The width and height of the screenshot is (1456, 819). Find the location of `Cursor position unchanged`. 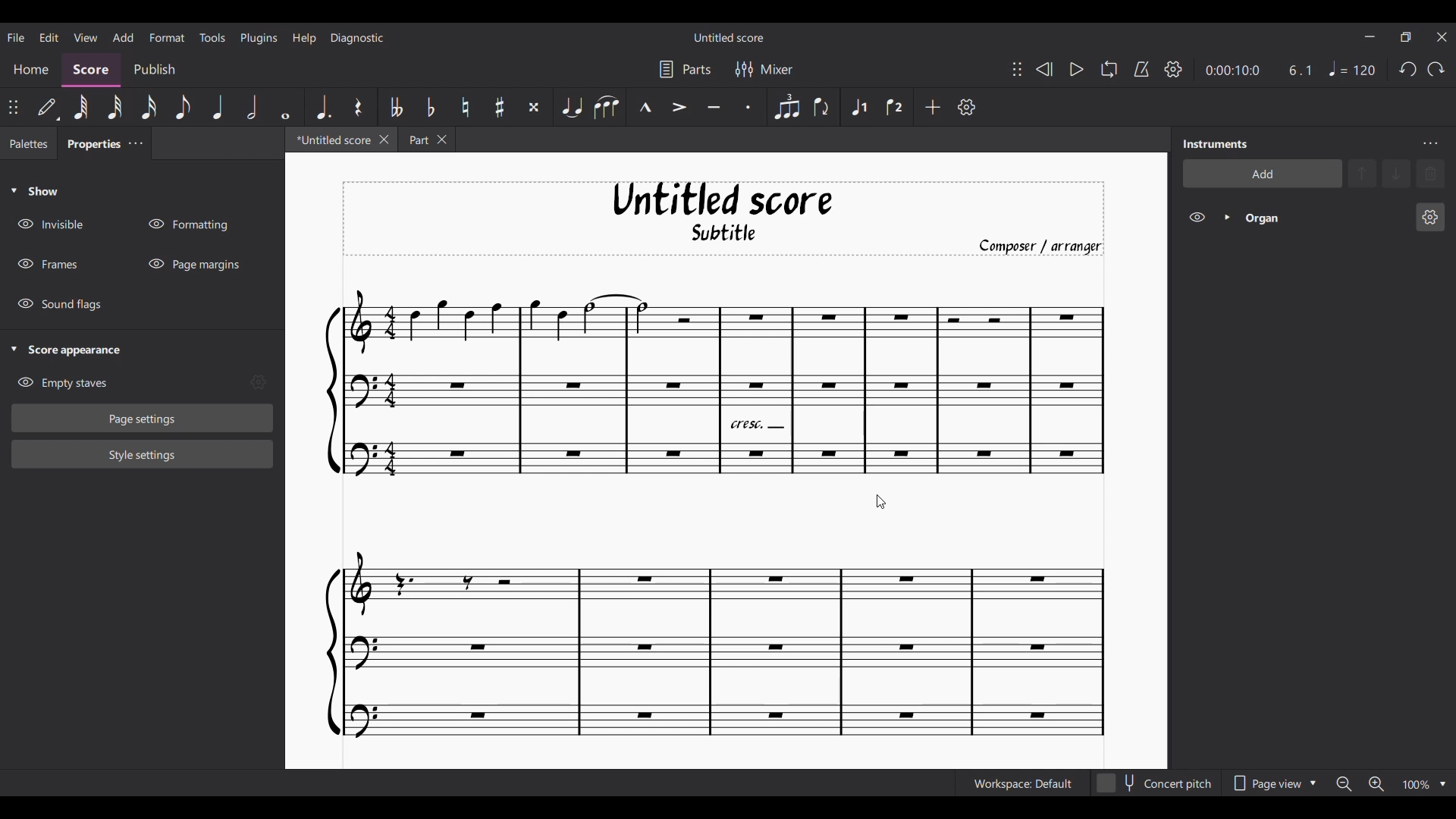

Cursor position unchanged is located at coordinates (881, 501).